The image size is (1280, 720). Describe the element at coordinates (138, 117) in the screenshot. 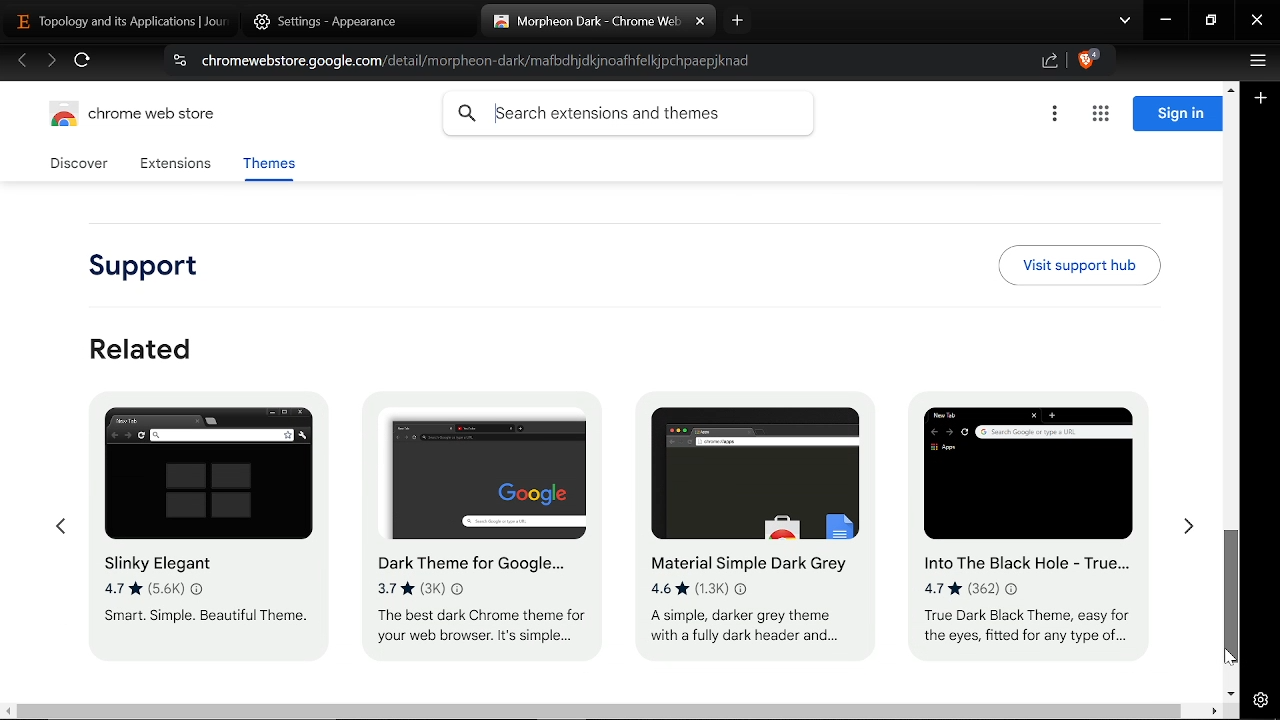

I see `Chrome web store` at that location.